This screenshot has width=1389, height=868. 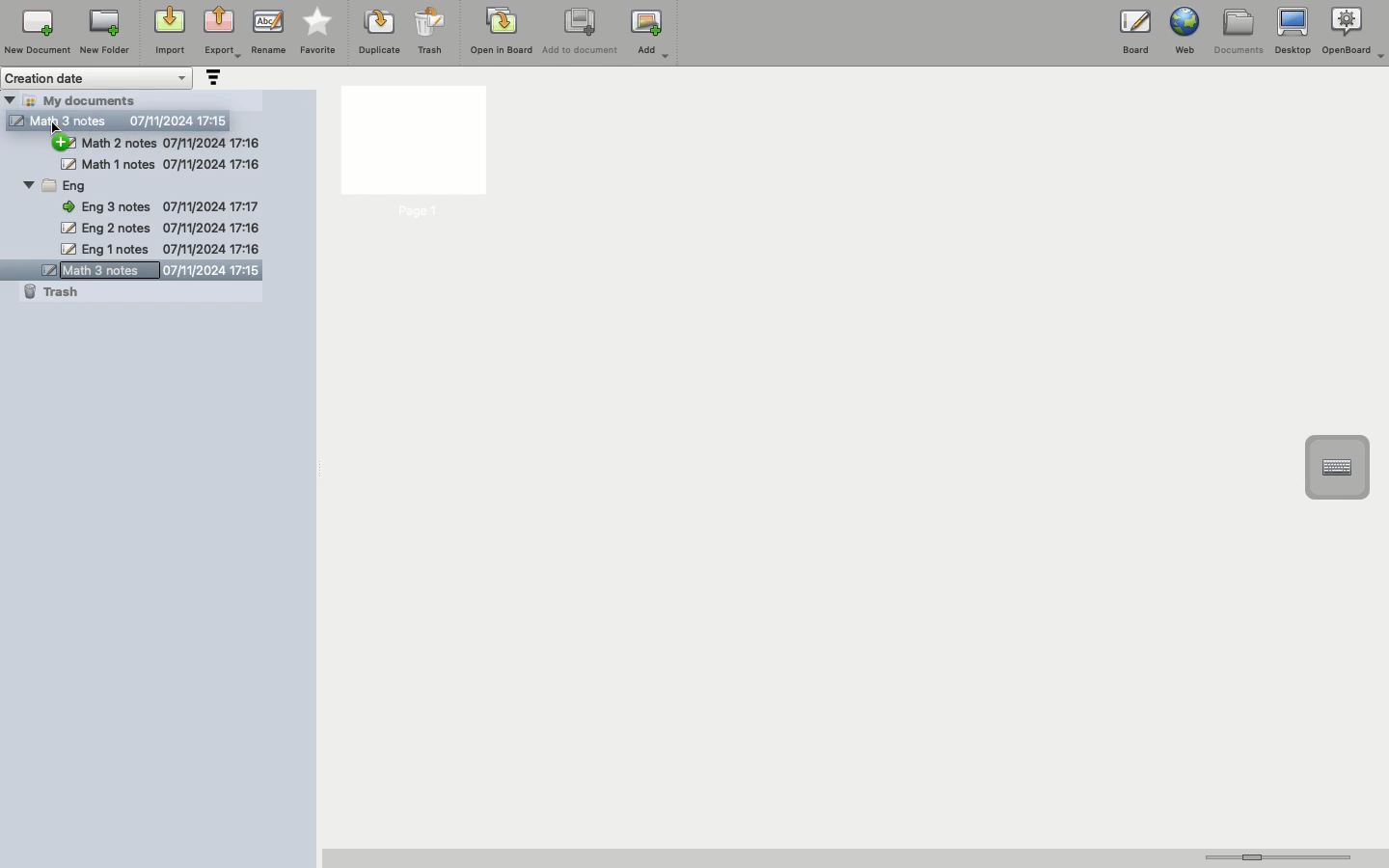 What do you see at coordinates (38, 32) in the screenshot?
I see `New document` at bounding box center [38, 32].